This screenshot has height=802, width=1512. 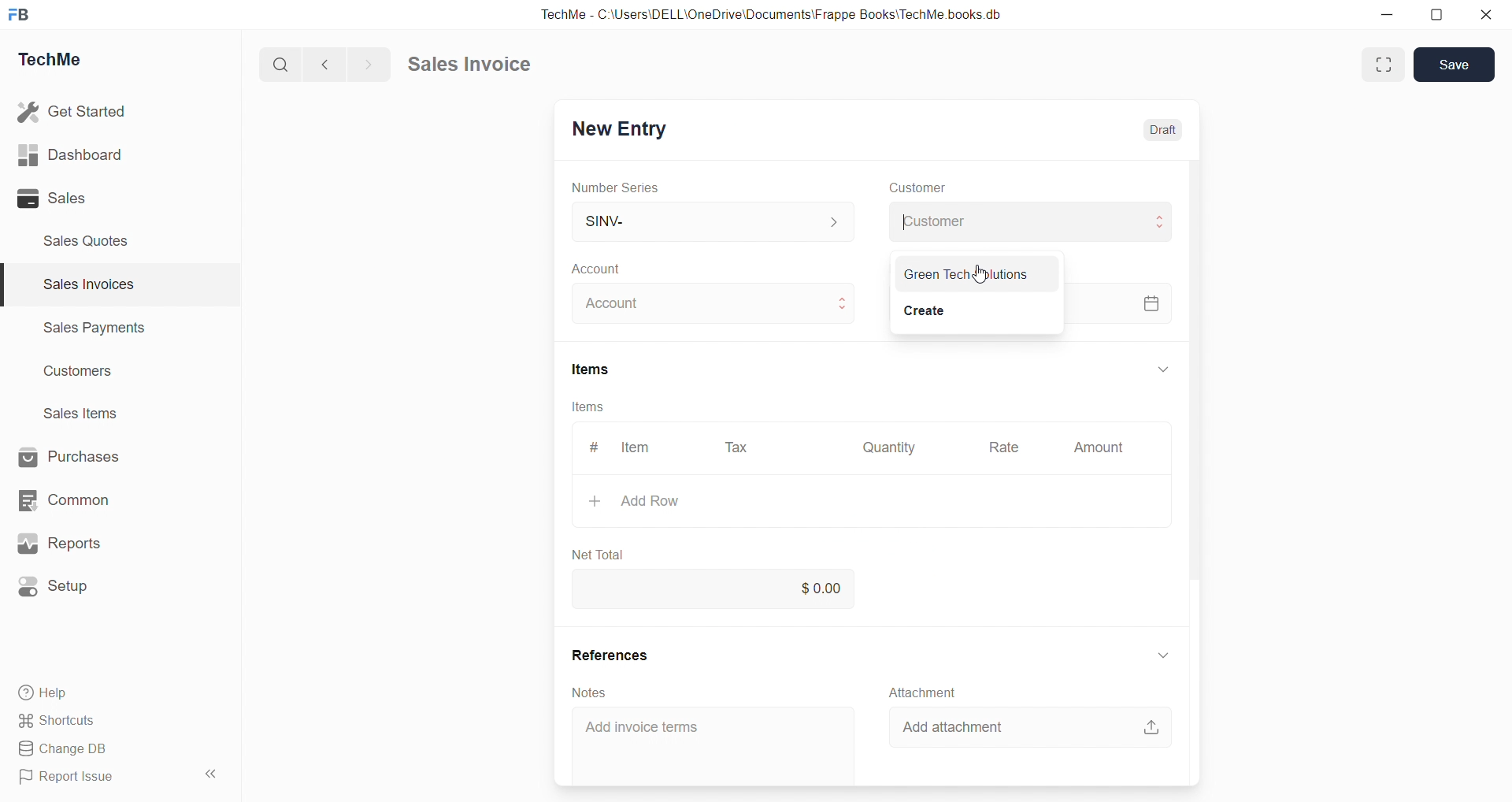 I want to click on cursor, so click(x=980, y=274).